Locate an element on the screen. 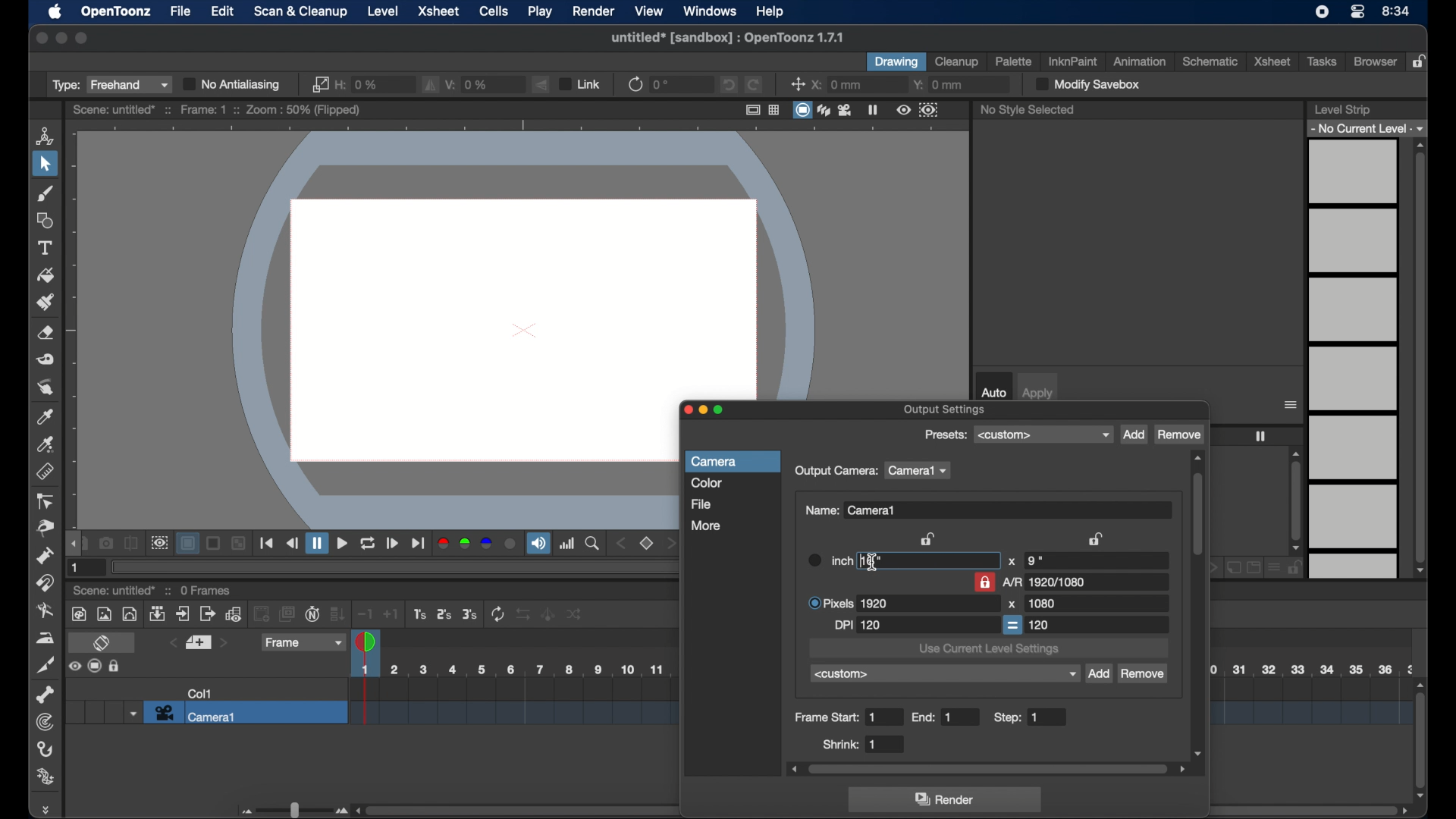 Image resolution: width=1456 pixels, height=819 pixels. redo is located at coordinates (754, 85).